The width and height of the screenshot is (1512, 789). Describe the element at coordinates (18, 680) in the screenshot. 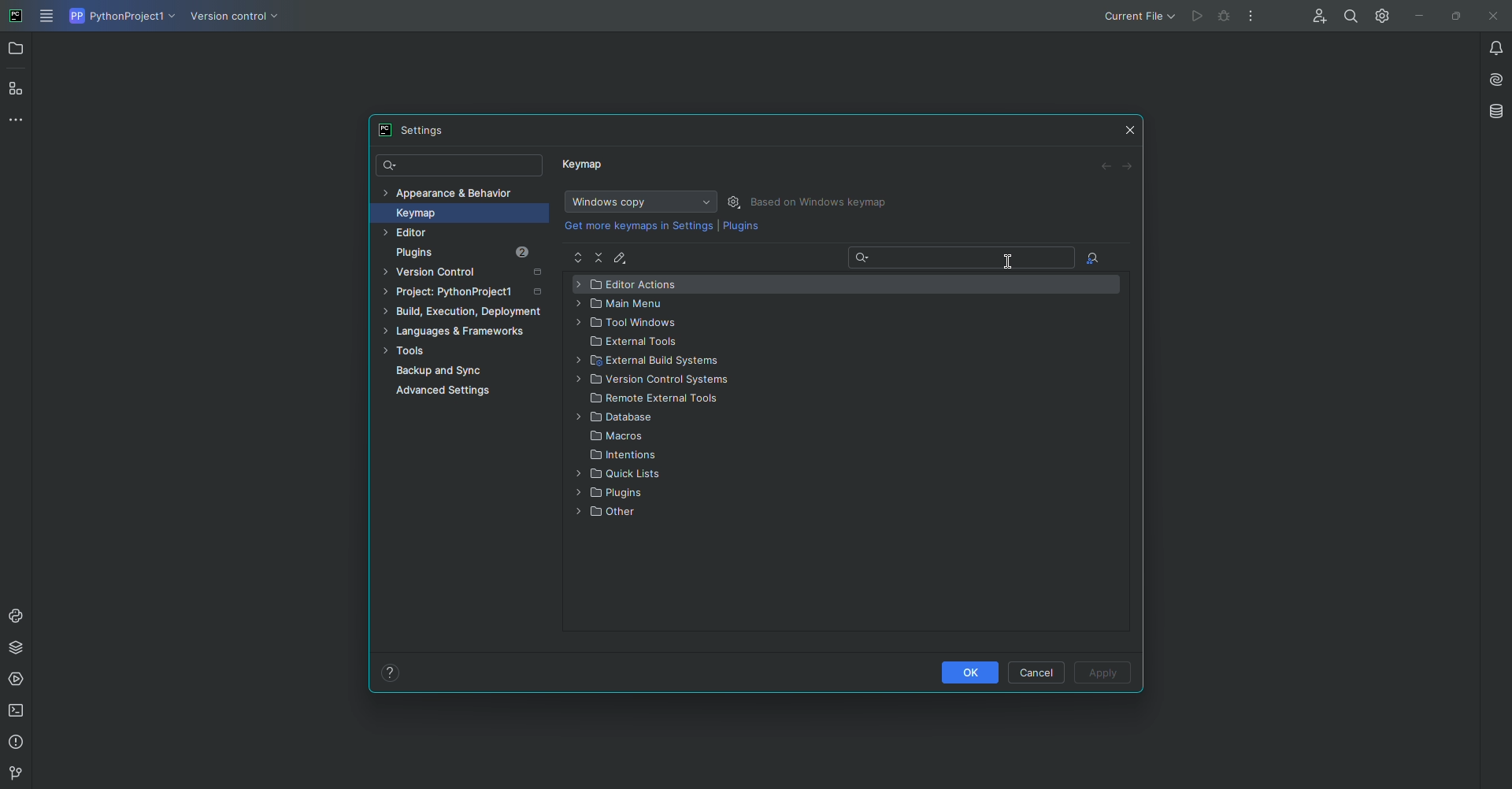

I see `Services` at that location.